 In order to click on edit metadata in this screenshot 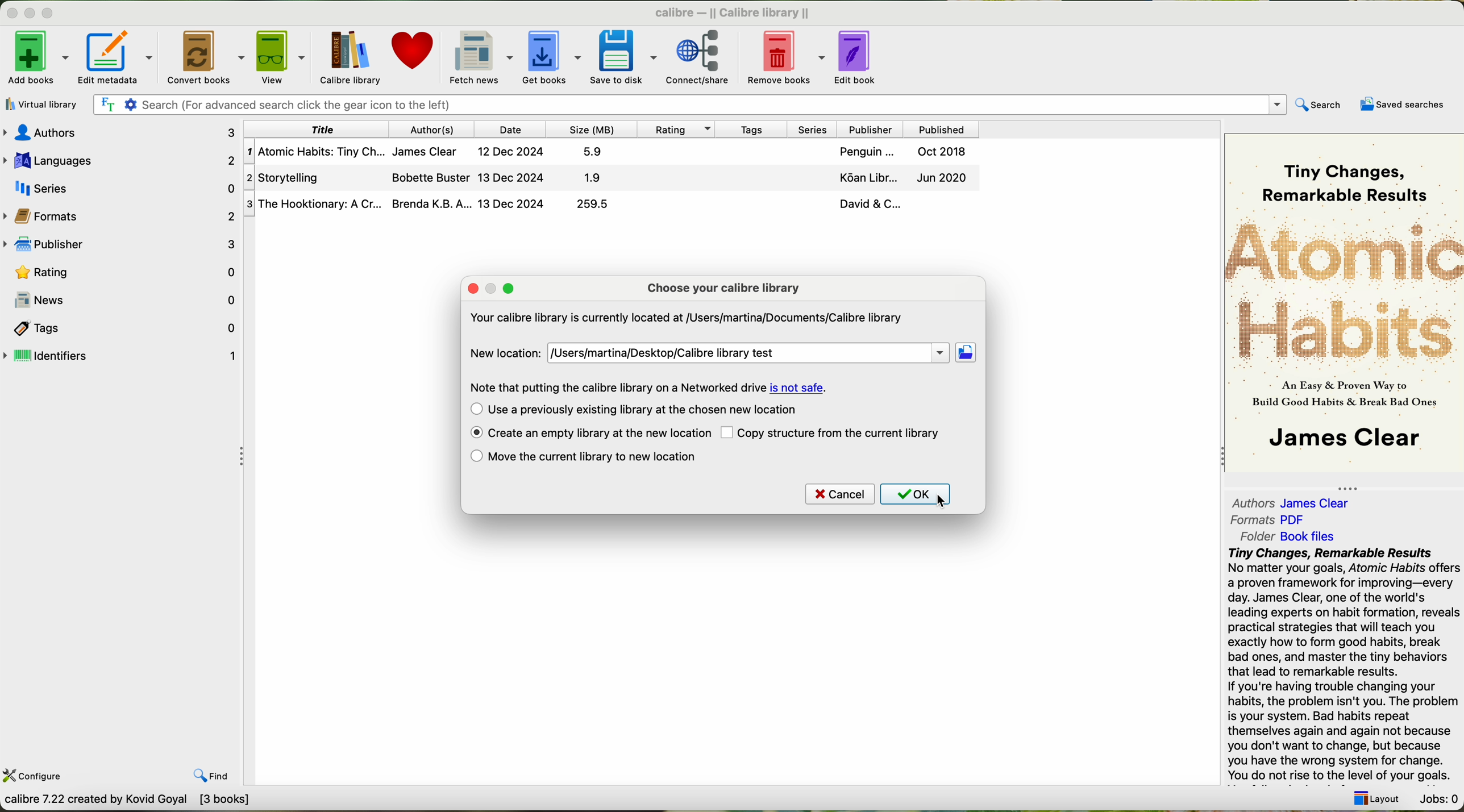, I will do `click(120, 57)`.